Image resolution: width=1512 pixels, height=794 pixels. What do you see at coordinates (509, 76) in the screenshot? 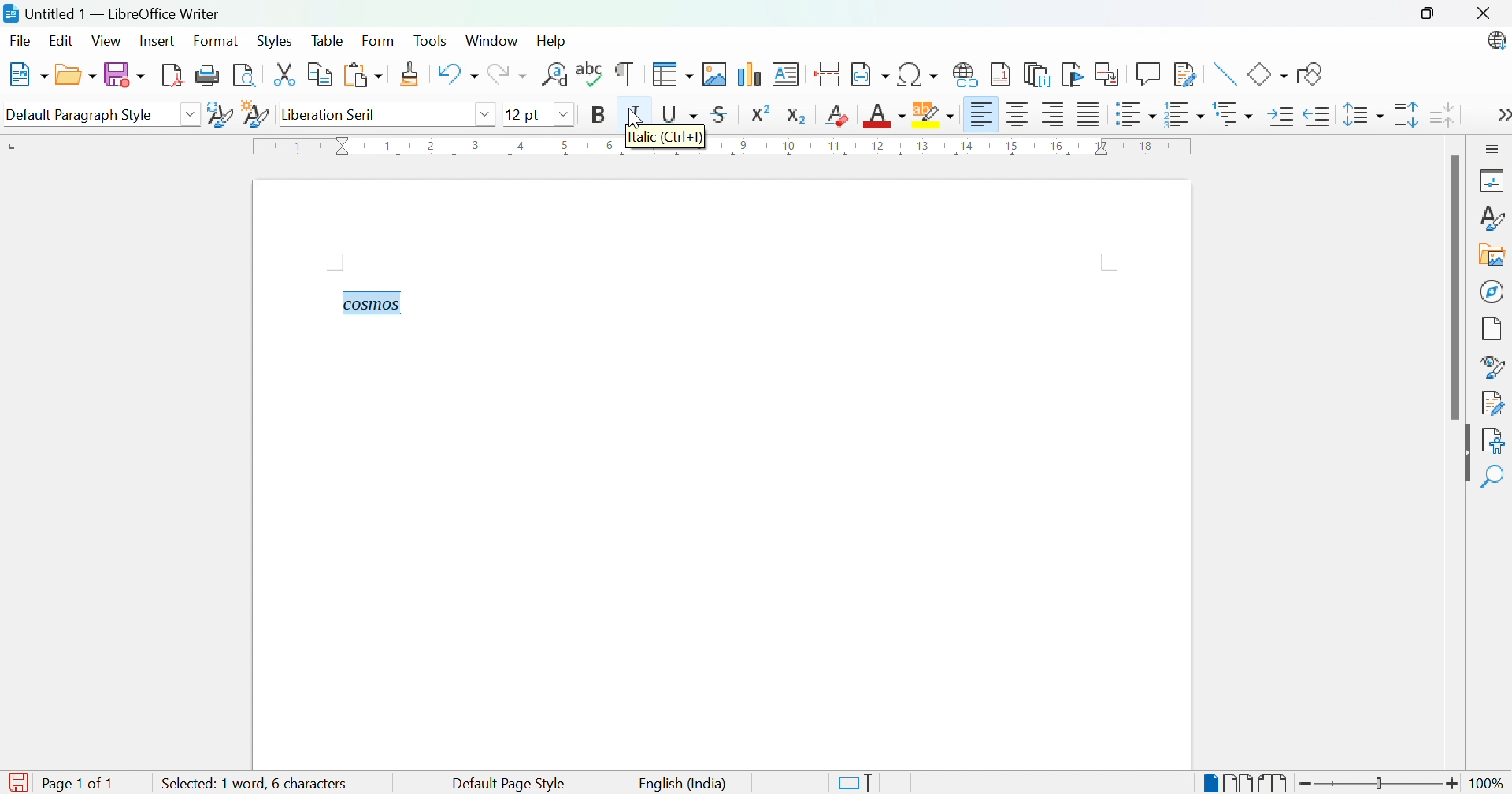
I see `Redo` at bounding box center [509, 76].